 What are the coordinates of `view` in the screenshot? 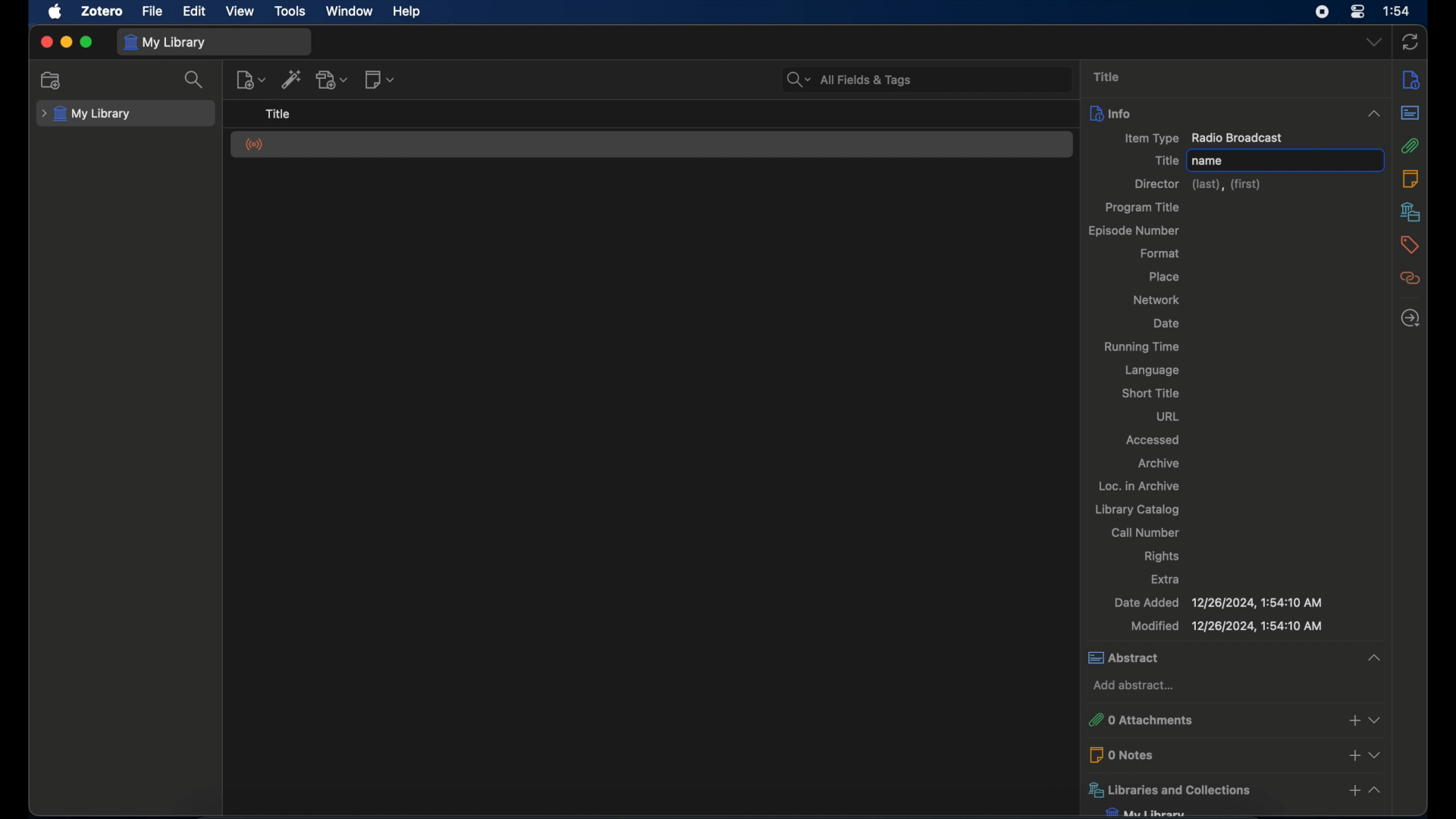 It's located at (241, 11).